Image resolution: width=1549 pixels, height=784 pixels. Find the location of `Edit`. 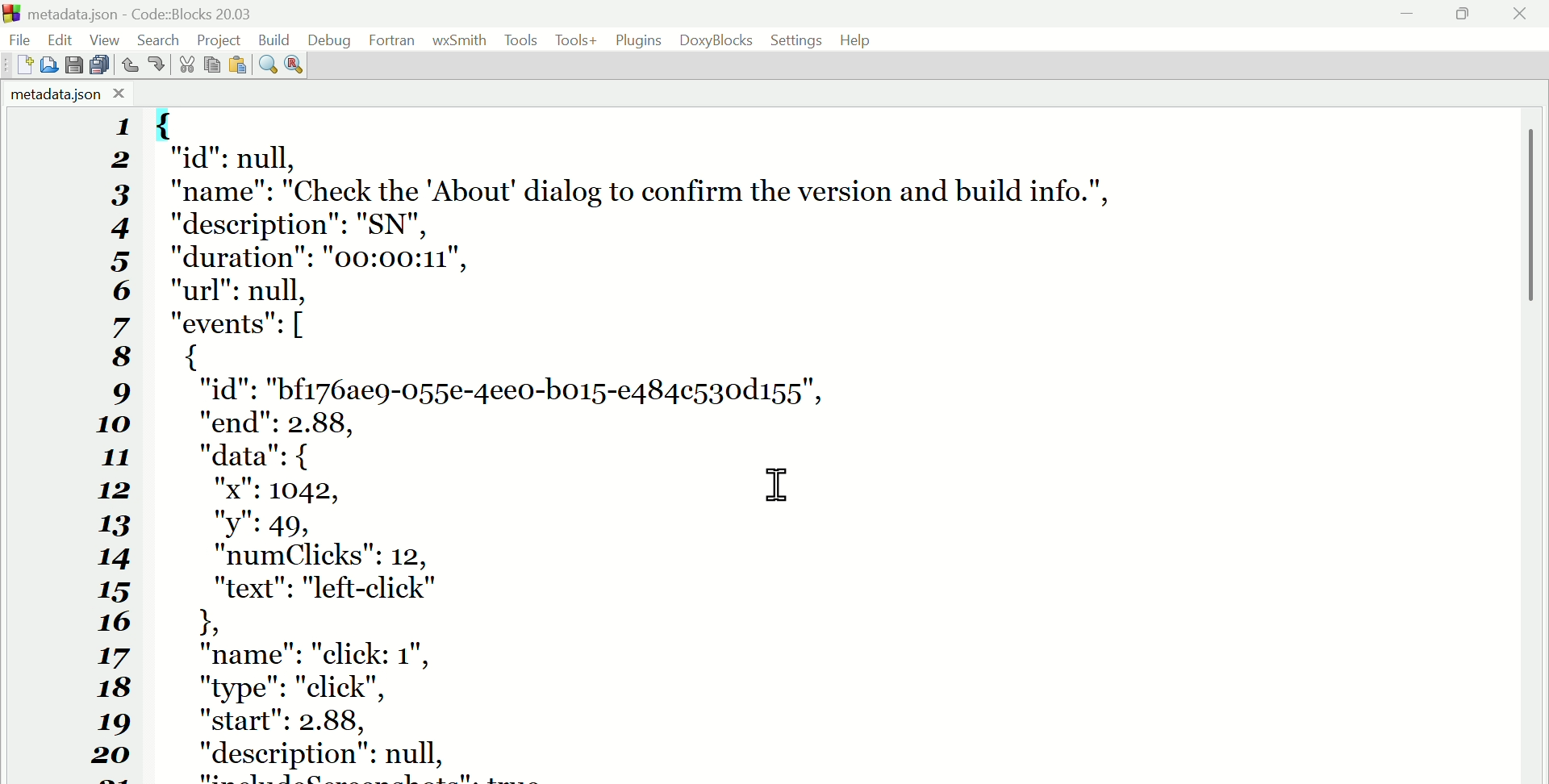

Edit is located at coordinates (61, 39).